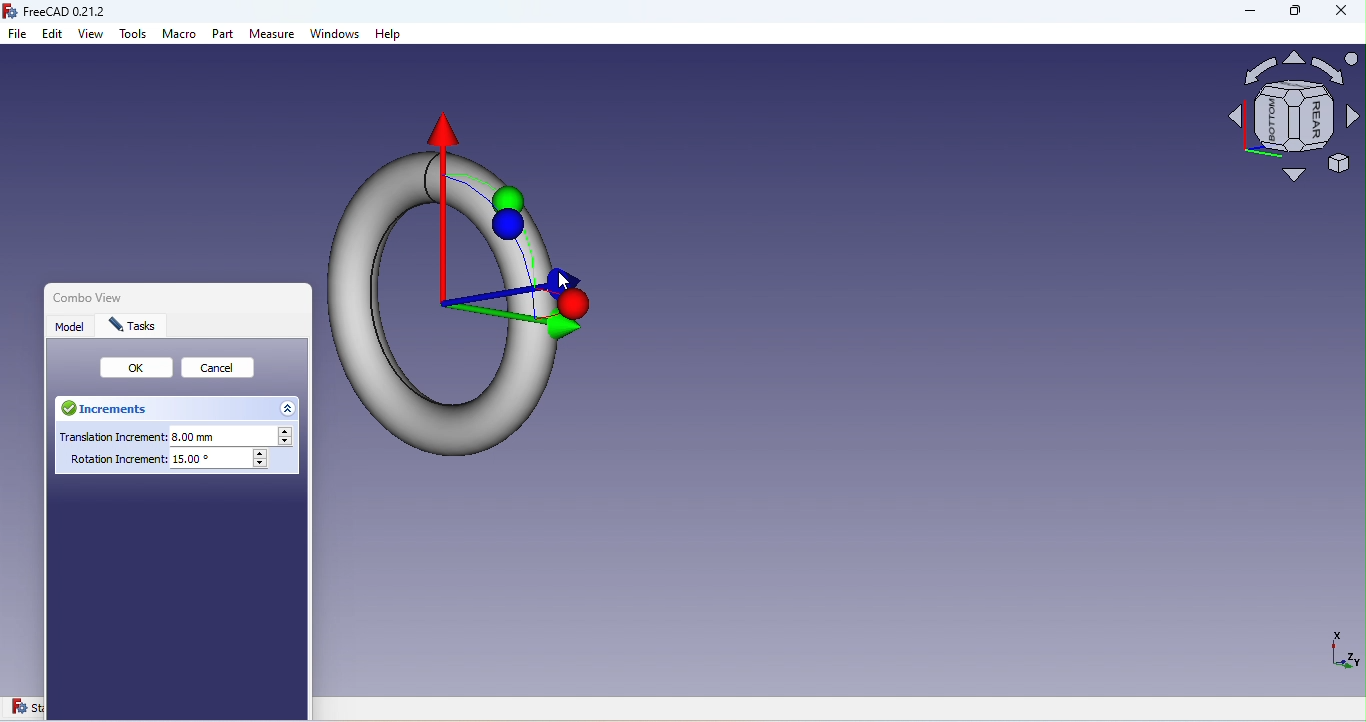  I want to click on Dimensions, so click(1341, 656).